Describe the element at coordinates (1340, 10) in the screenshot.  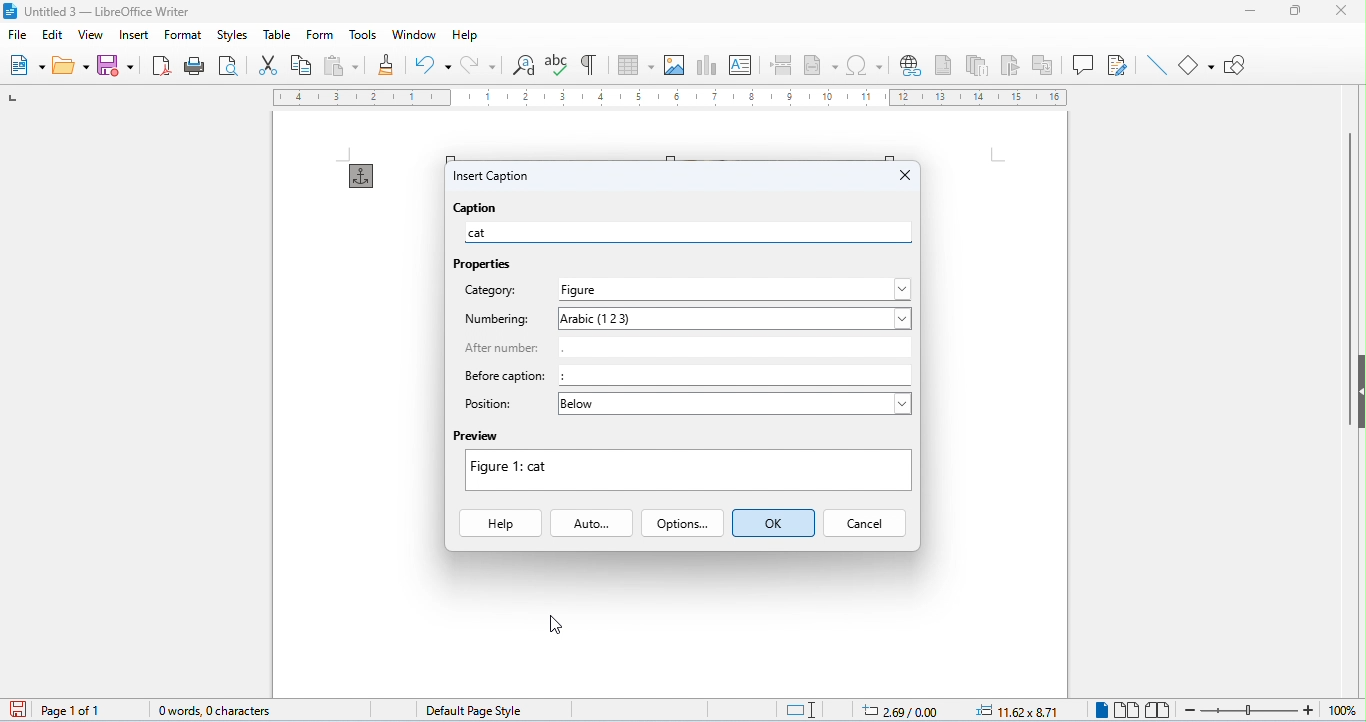
I see `close` at that location.